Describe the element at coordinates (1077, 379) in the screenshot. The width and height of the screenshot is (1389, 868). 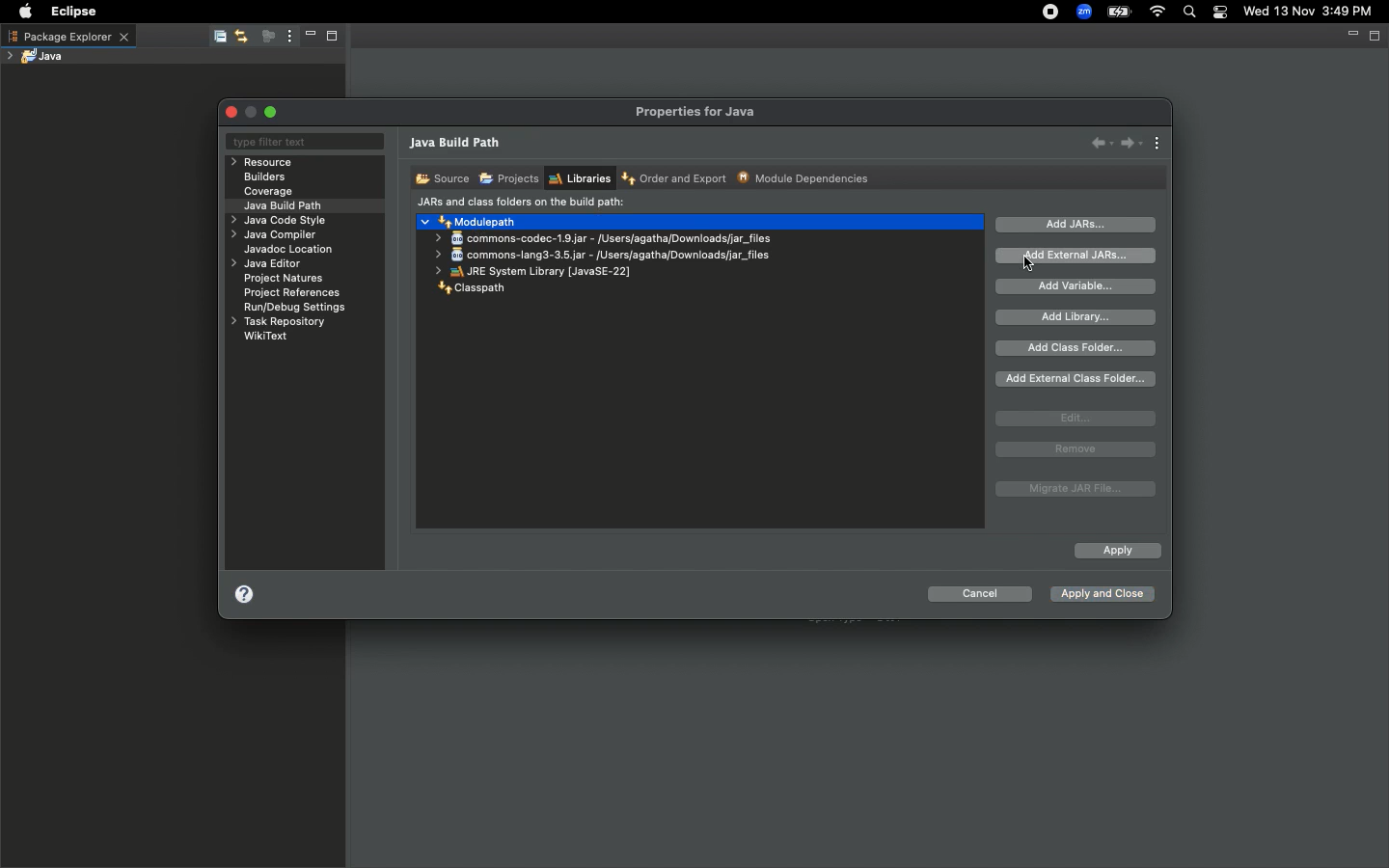
I see `Add external class folder` at that location.